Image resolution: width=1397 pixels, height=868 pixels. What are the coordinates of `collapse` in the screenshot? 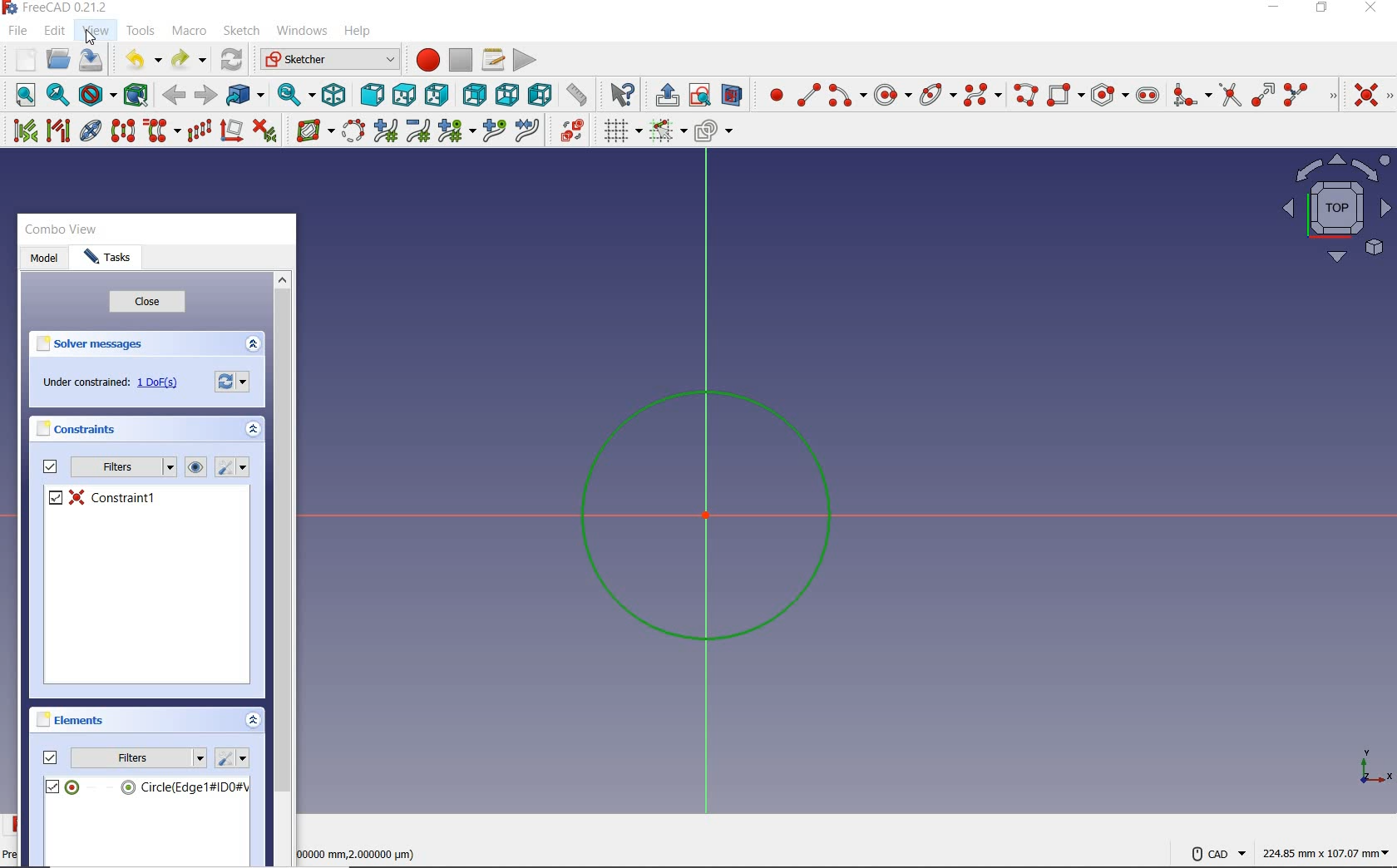 It's located at (254, 430).